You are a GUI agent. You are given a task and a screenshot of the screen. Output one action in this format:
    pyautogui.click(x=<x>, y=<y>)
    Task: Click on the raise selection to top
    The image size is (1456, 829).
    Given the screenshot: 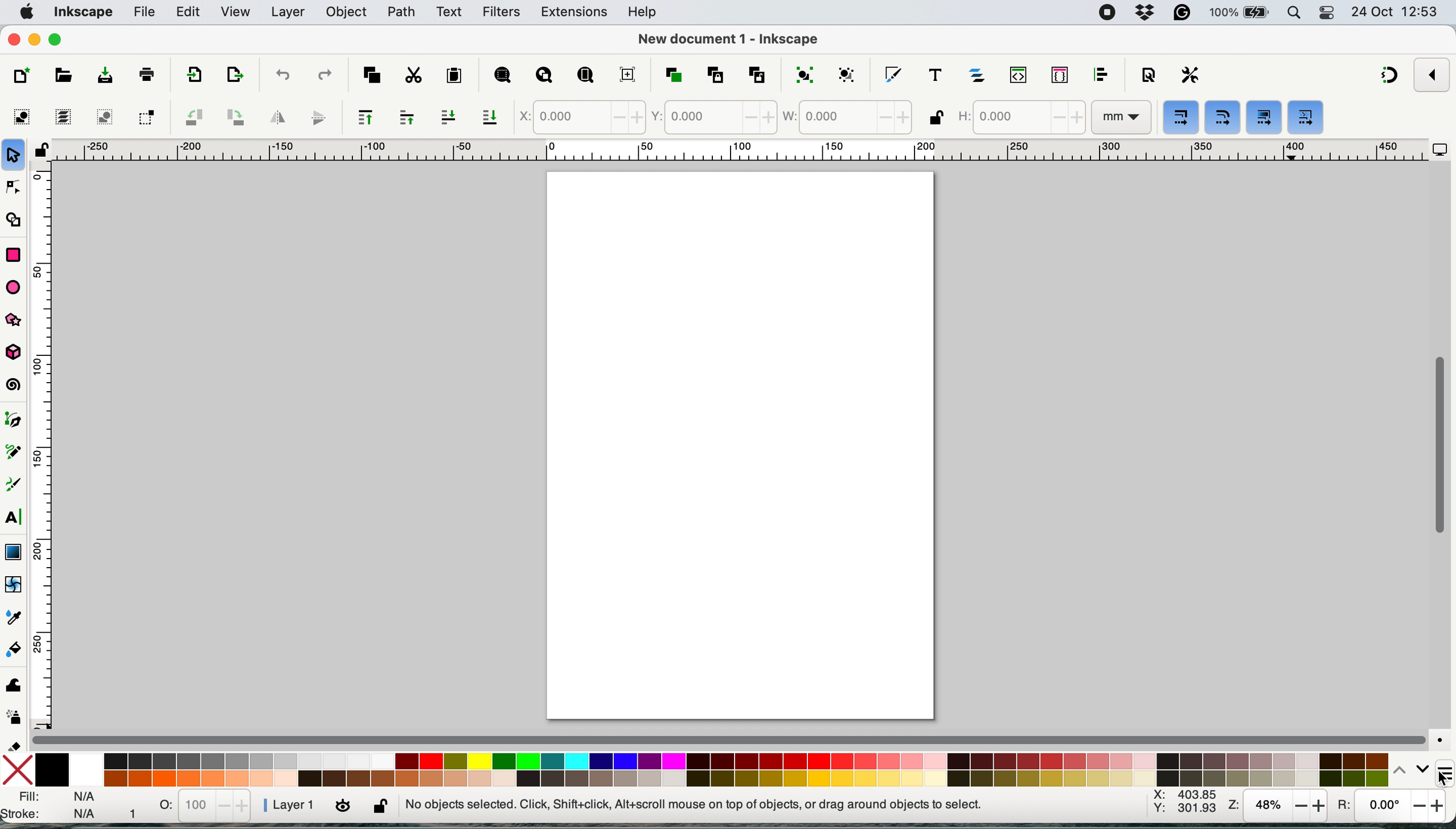 What is the action you would take?
    pyautogui.click(x=363, y=118)
    